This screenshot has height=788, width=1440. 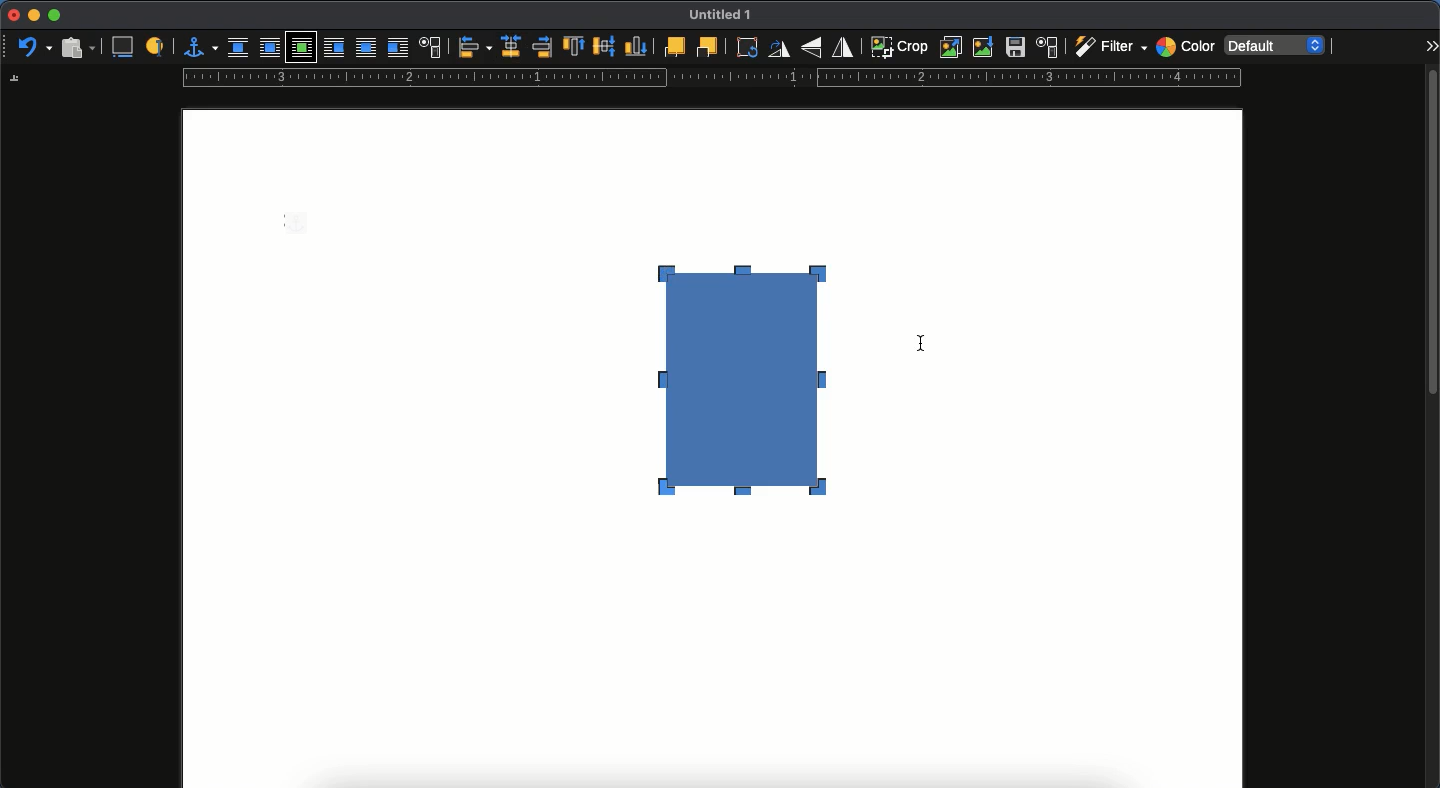 What do you see at coordinates (925, 350) in the screenshot?
I see `click` at bounding box center [925, 350].